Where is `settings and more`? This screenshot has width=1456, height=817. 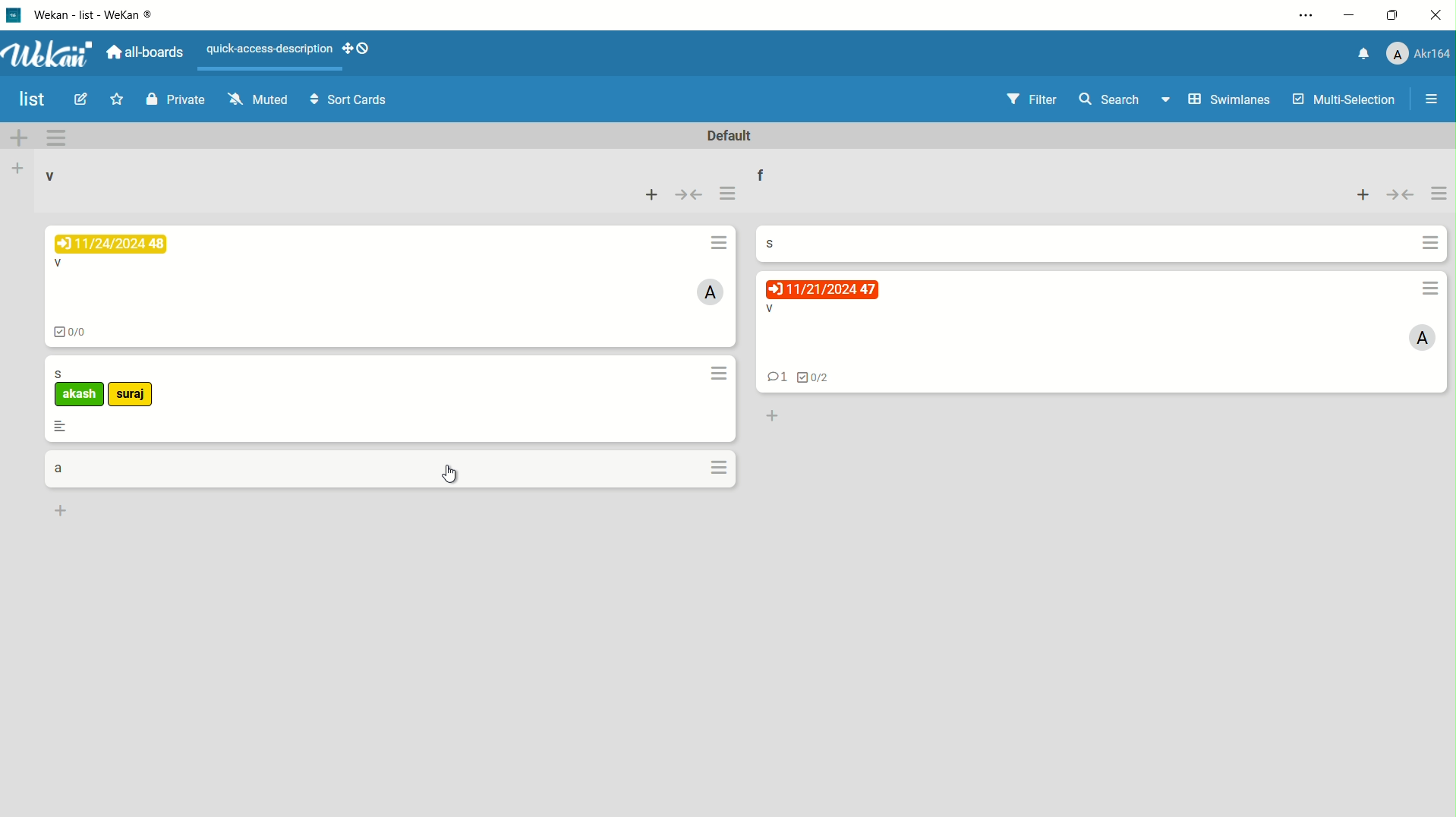 settings and more is located at coordinates (1303, 17).